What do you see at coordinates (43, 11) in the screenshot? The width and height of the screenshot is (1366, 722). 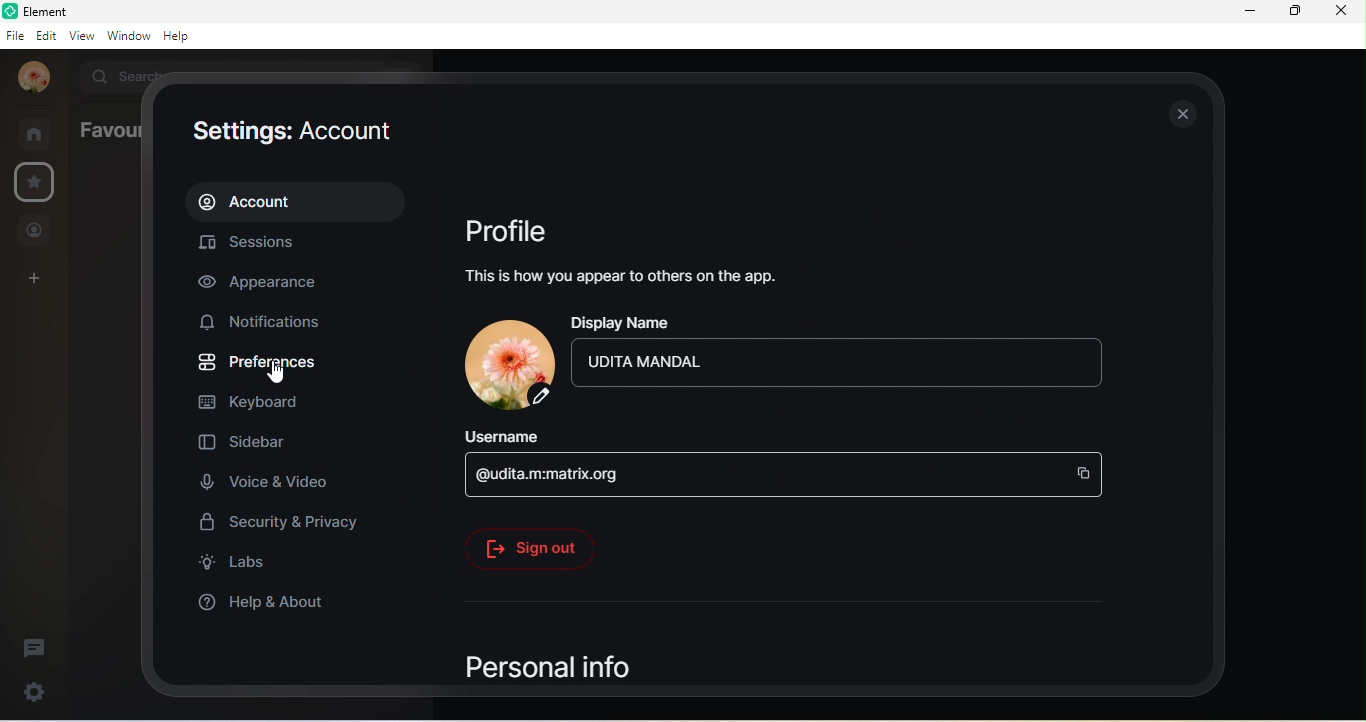 I see `Element` at bounding box center [43, 11].